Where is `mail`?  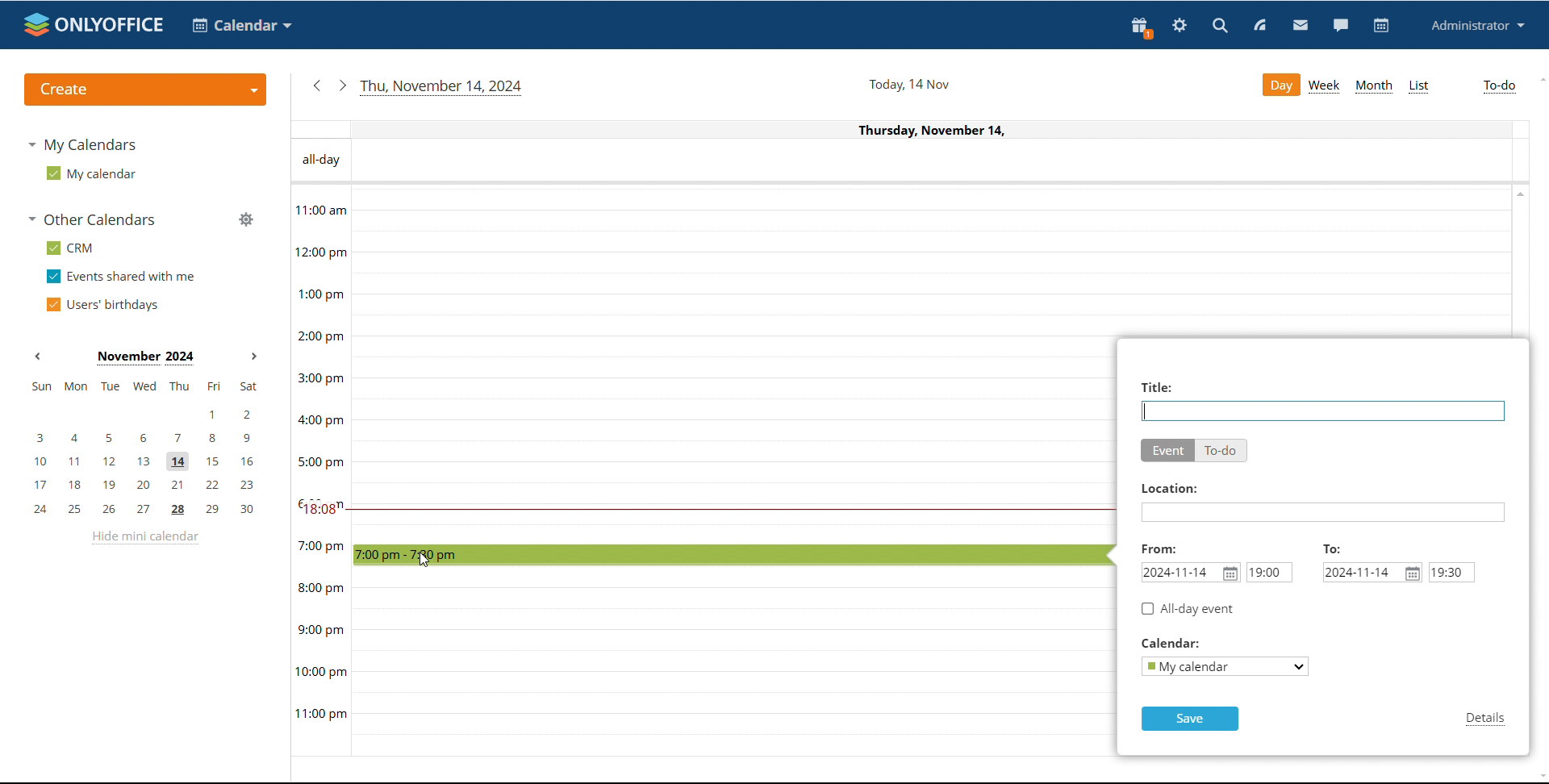
mail is located at coordinates (1301, 26).